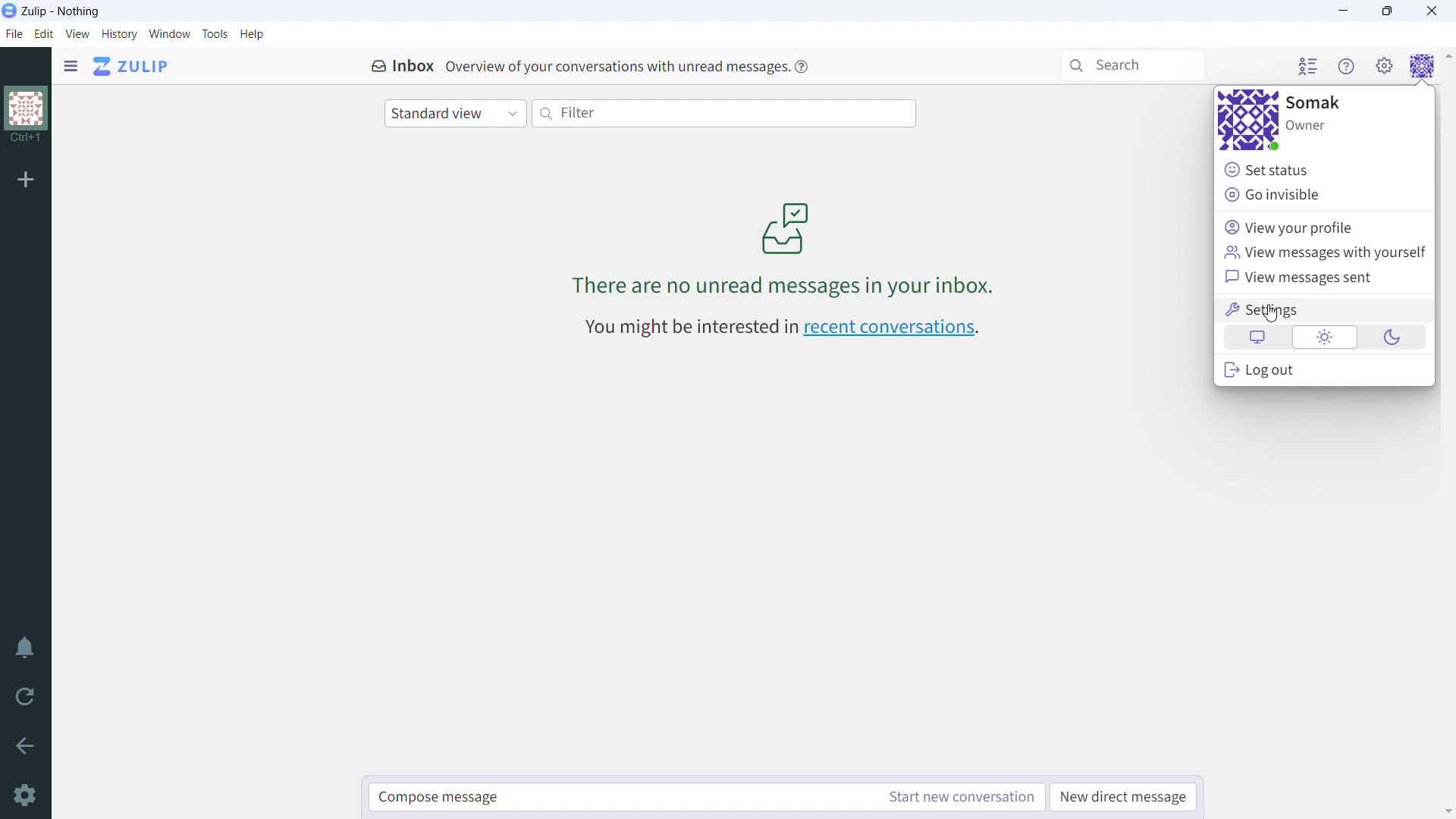  I want to click on profile menu, so click(1422, 67).